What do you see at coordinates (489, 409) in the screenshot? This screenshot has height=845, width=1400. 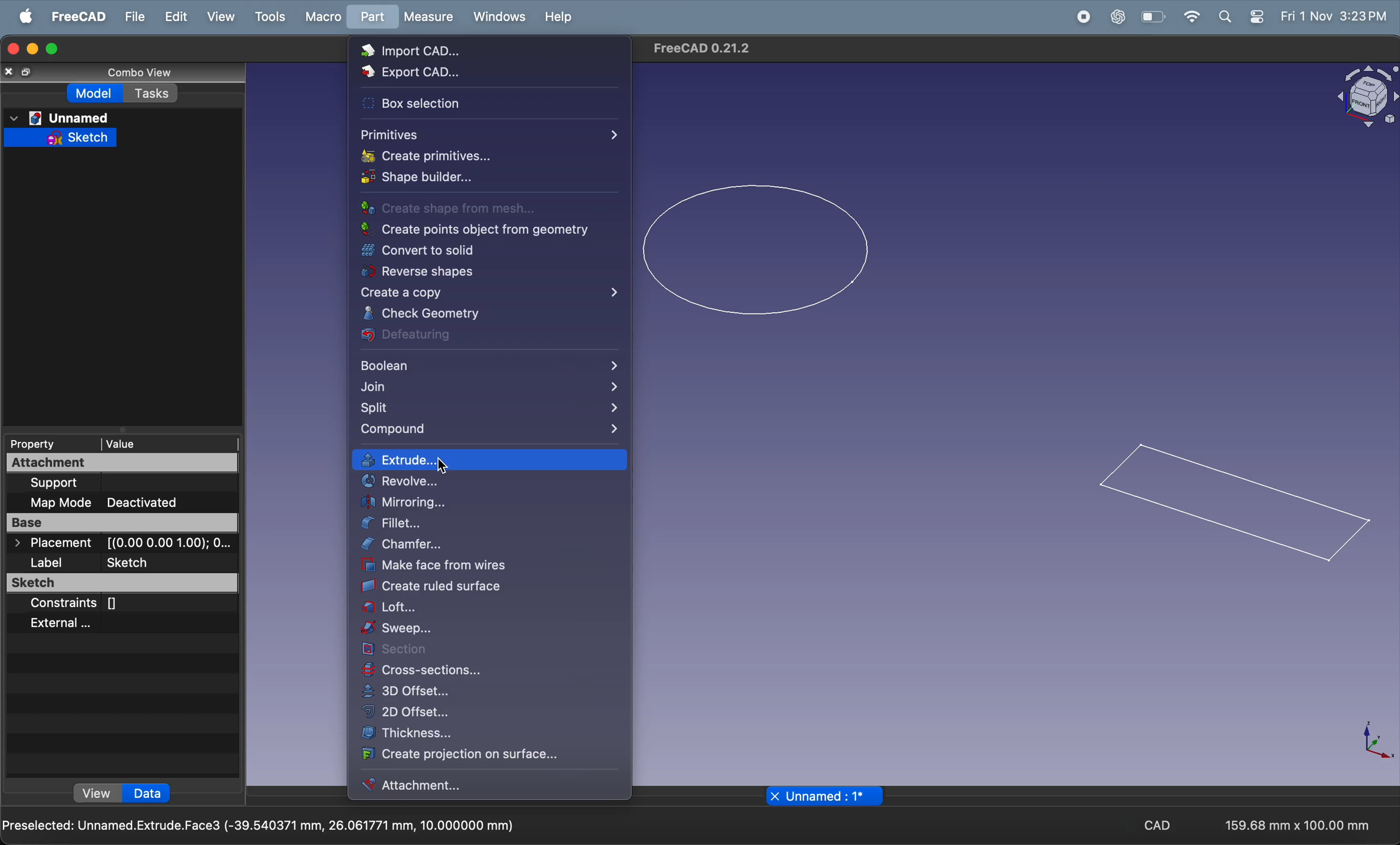 I see `Split` at bounding box center [489, 409].